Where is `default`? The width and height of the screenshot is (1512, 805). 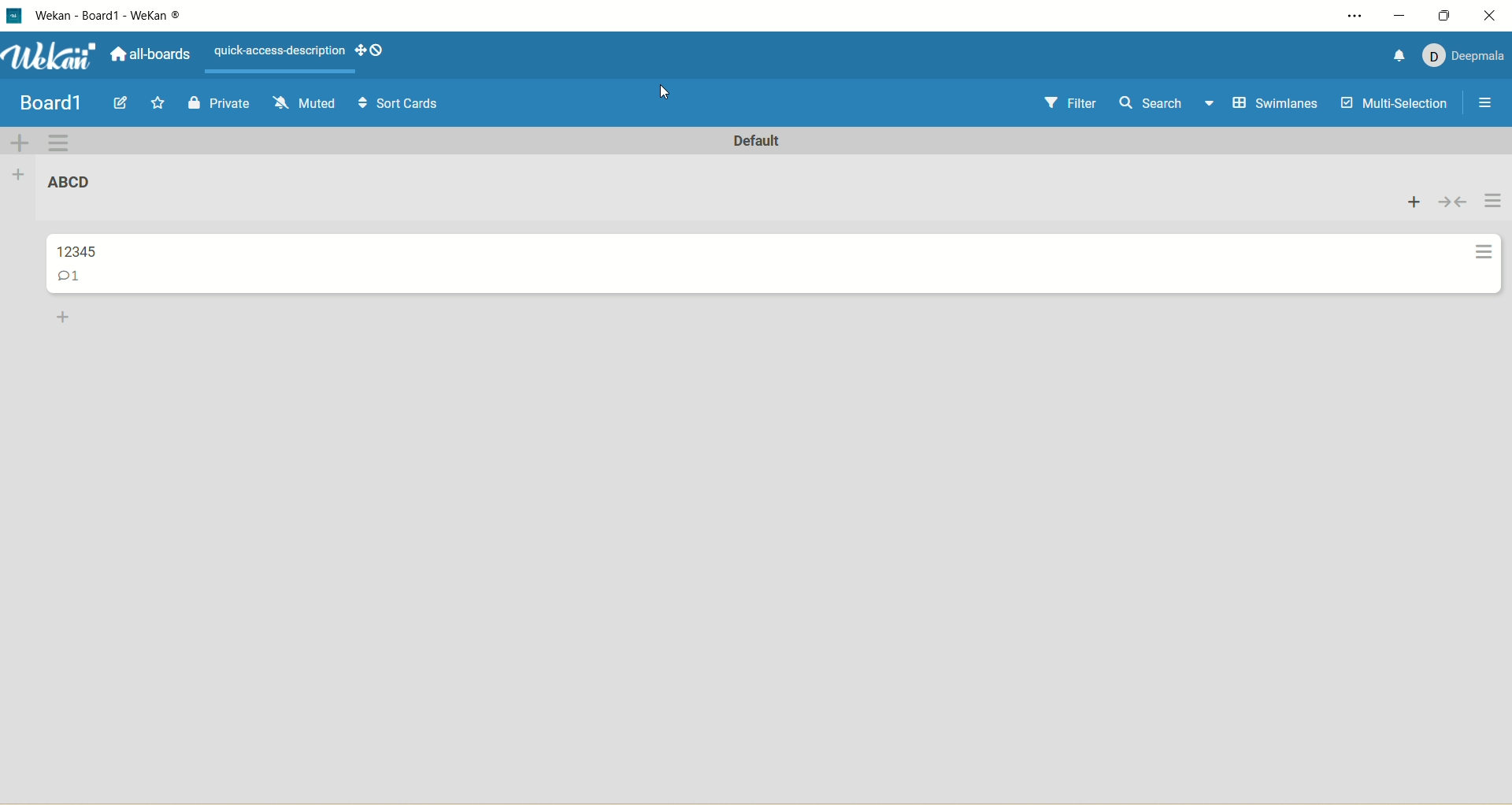
default is located at coordinates (760, 142).